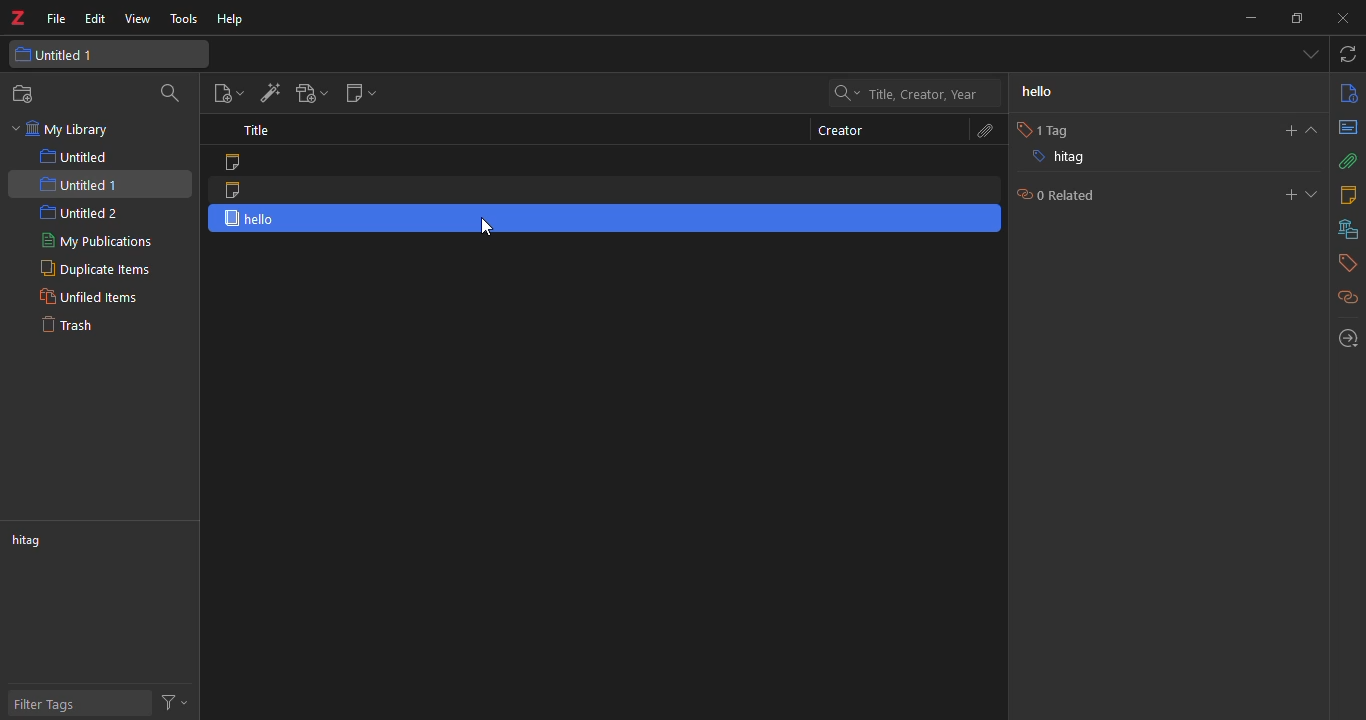 The height and width of the screenshot is (720, 1366). What do you see at coordinates (231, 163) in the screenshot?
I see `note` at bounding box center [231, 163].